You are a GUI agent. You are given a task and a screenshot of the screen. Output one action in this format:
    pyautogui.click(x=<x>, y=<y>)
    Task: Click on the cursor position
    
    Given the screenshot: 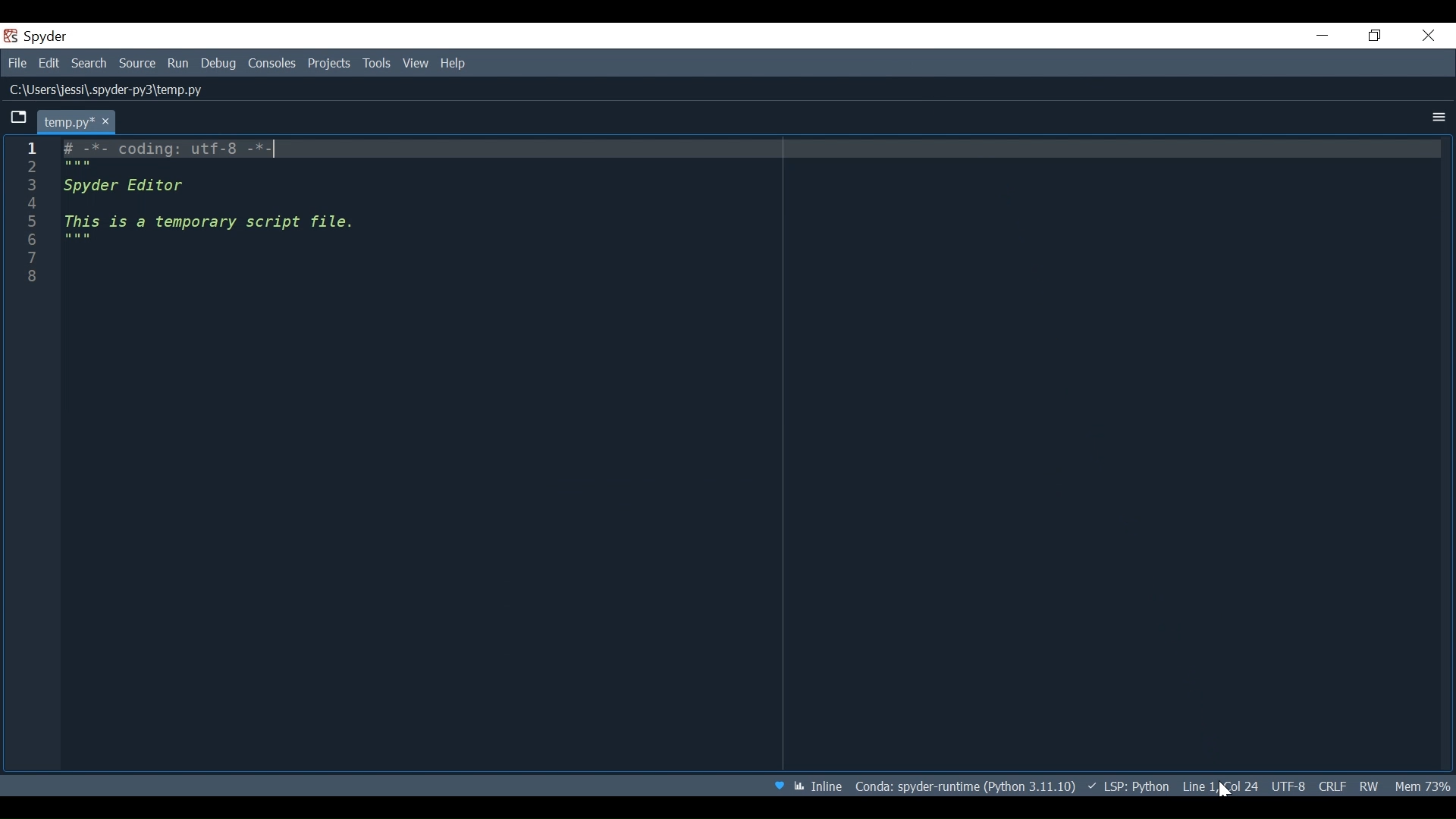 What is the action you would take?
    pyautogui.click(x=1220, y=786)
    